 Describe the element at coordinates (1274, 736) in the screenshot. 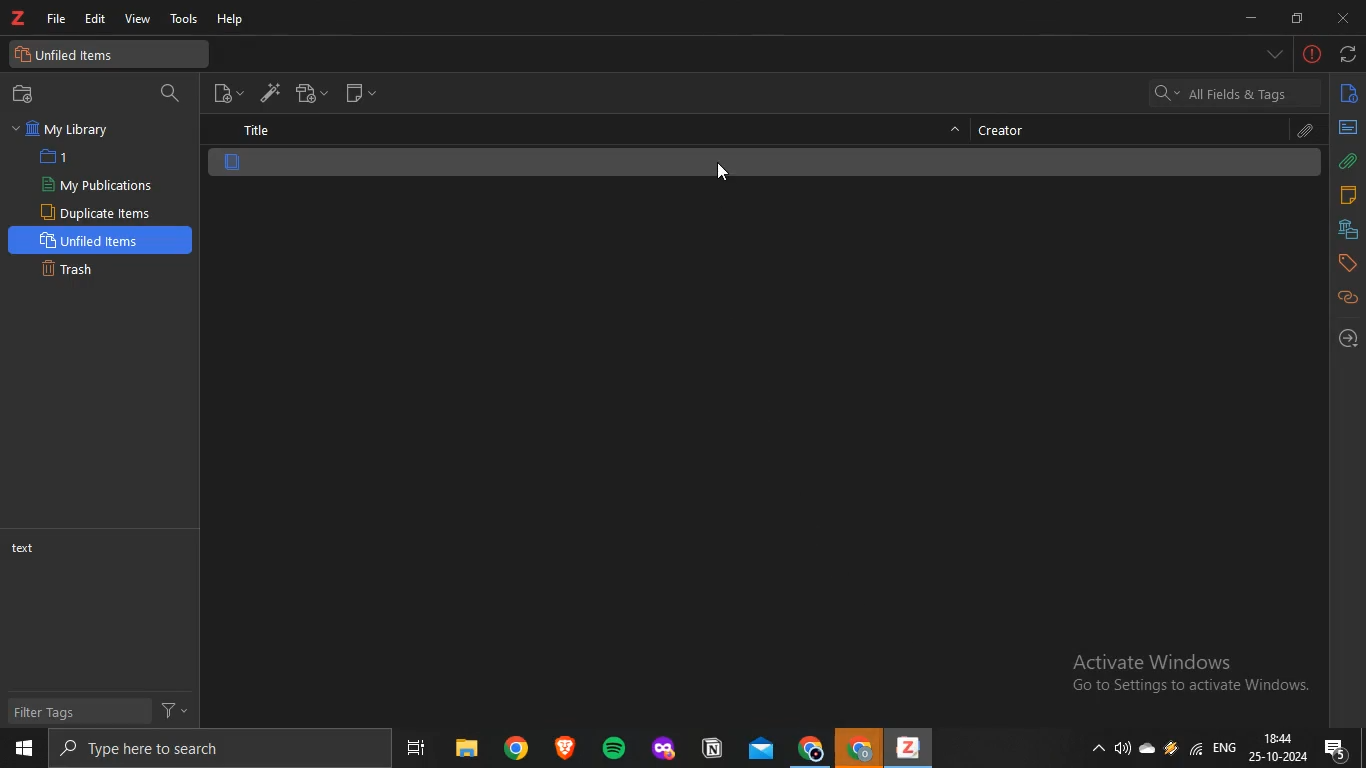

I see `18:44` at that location.